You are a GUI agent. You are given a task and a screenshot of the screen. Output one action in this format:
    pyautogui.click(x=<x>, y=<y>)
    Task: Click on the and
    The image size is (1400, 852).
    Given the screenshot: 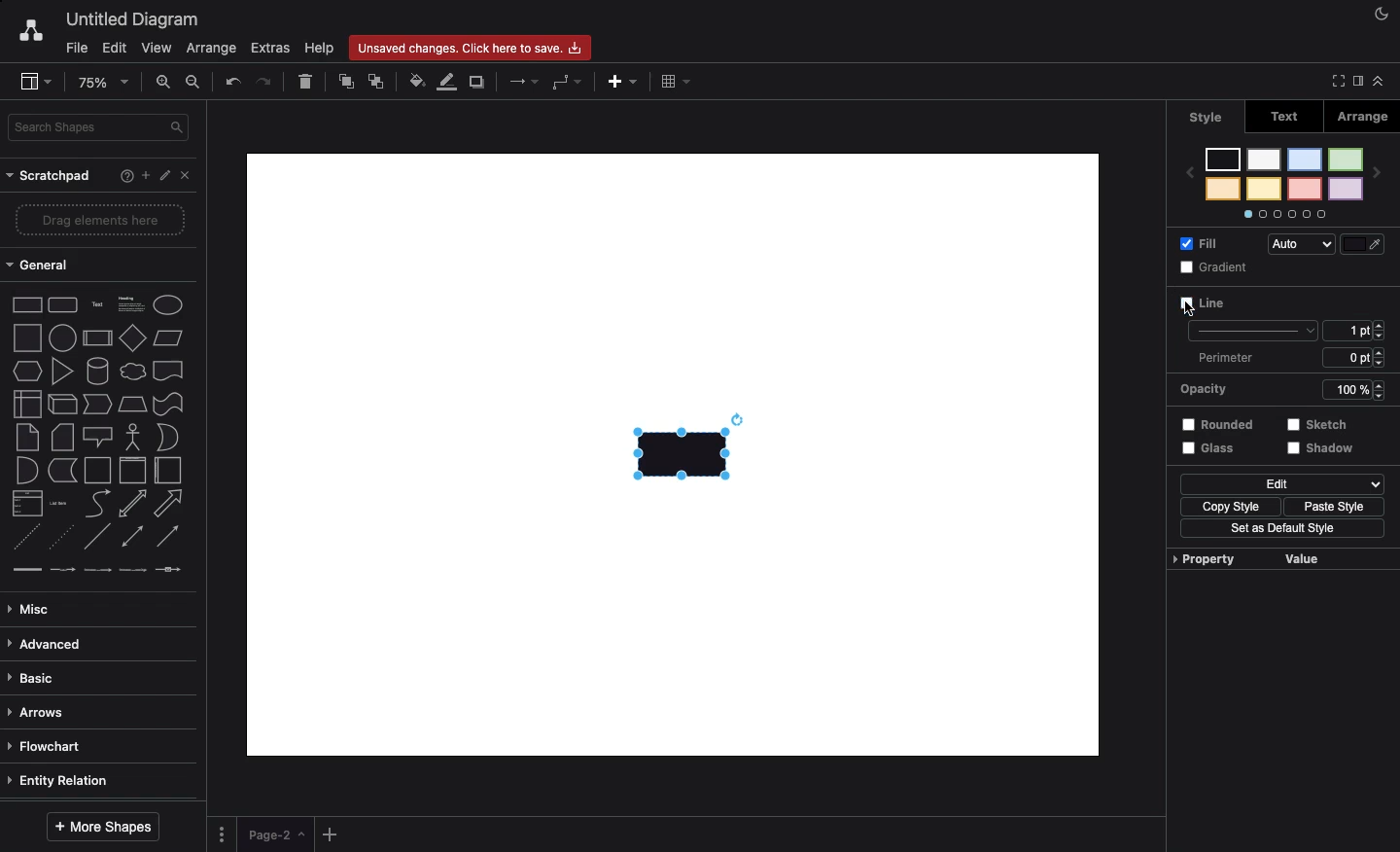 What is the action you would take?
    pyautogui.click(x=26, y=470)
    